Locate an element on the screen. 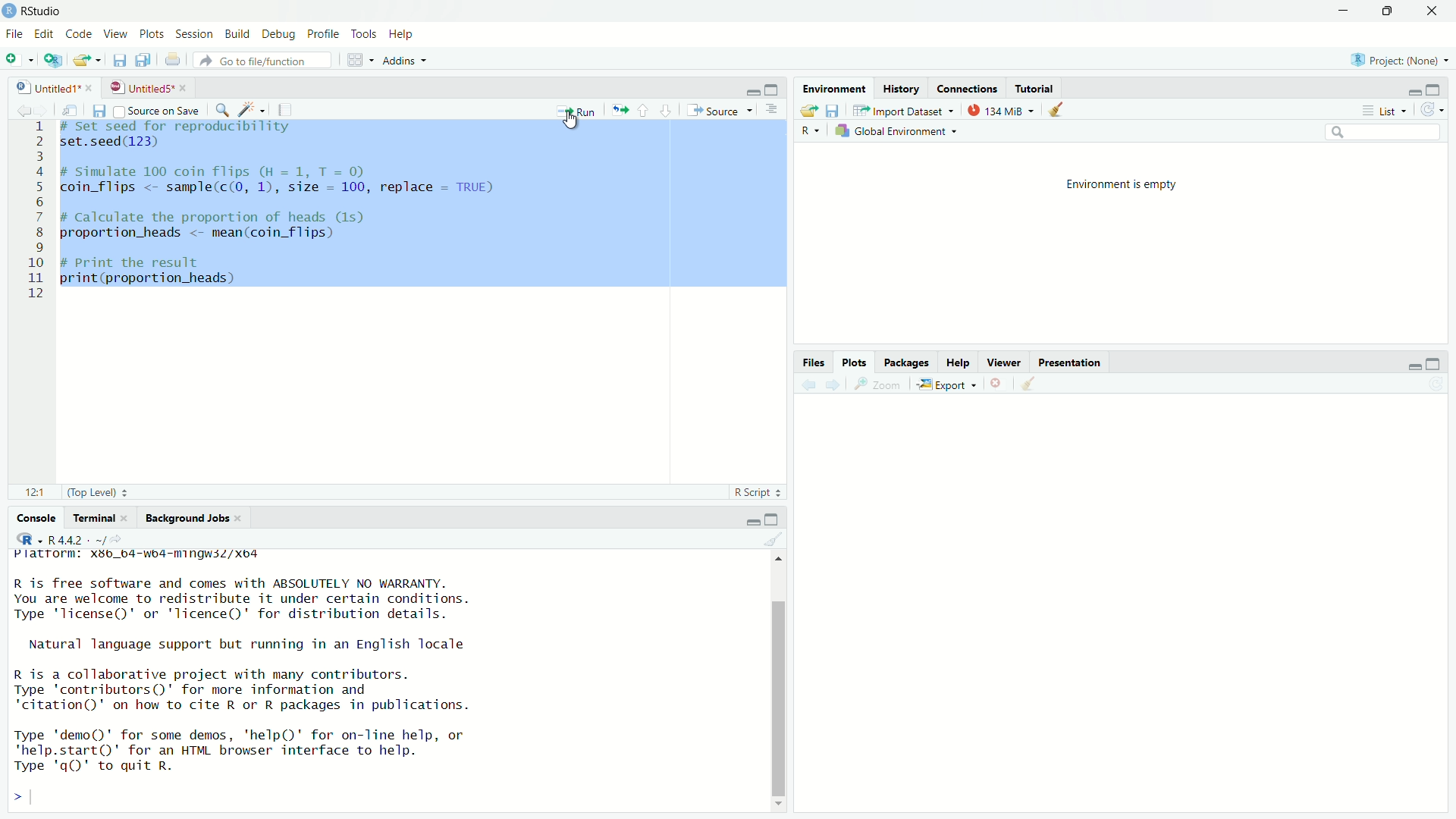  clear all plots is located at coordinates (1030, 385).